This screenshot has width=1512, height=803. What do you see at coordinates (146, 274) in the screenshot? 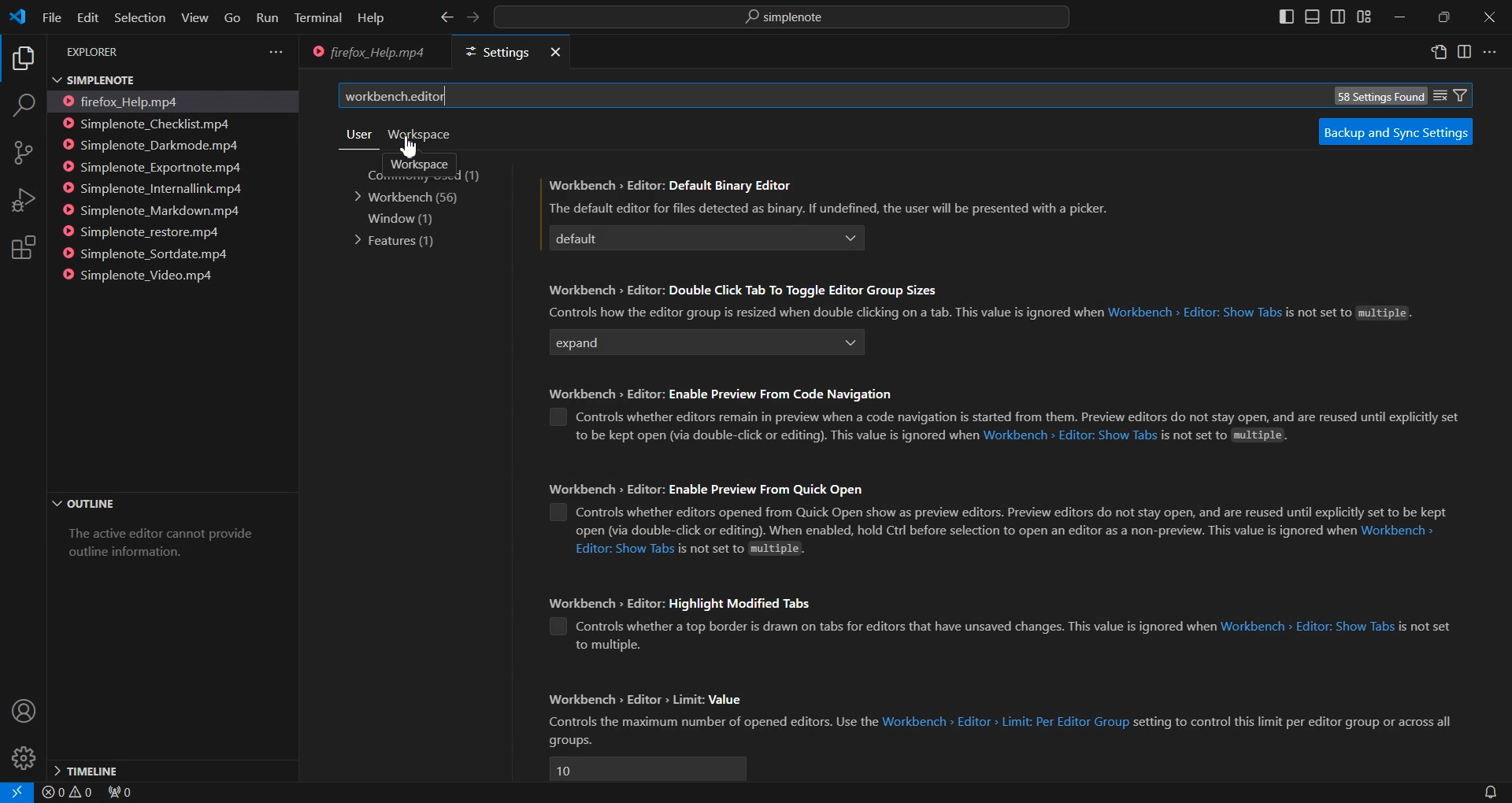
I see `Simplenote_Video.mp4` at bounding box center [146, 274].